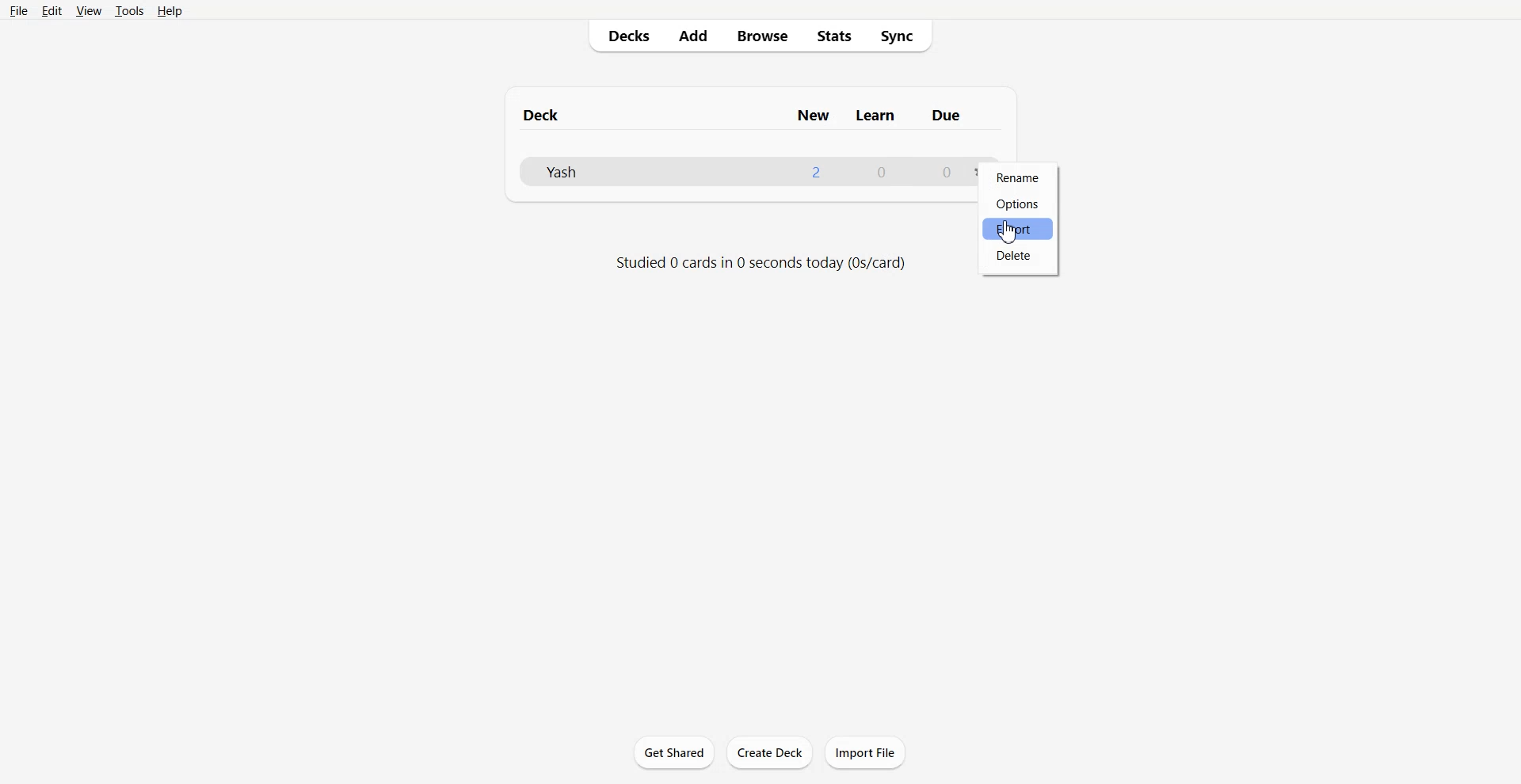  What do you see at coordinates (130, 12) in the screenshot?
I see `Tools` at bounding box center [130, 12].